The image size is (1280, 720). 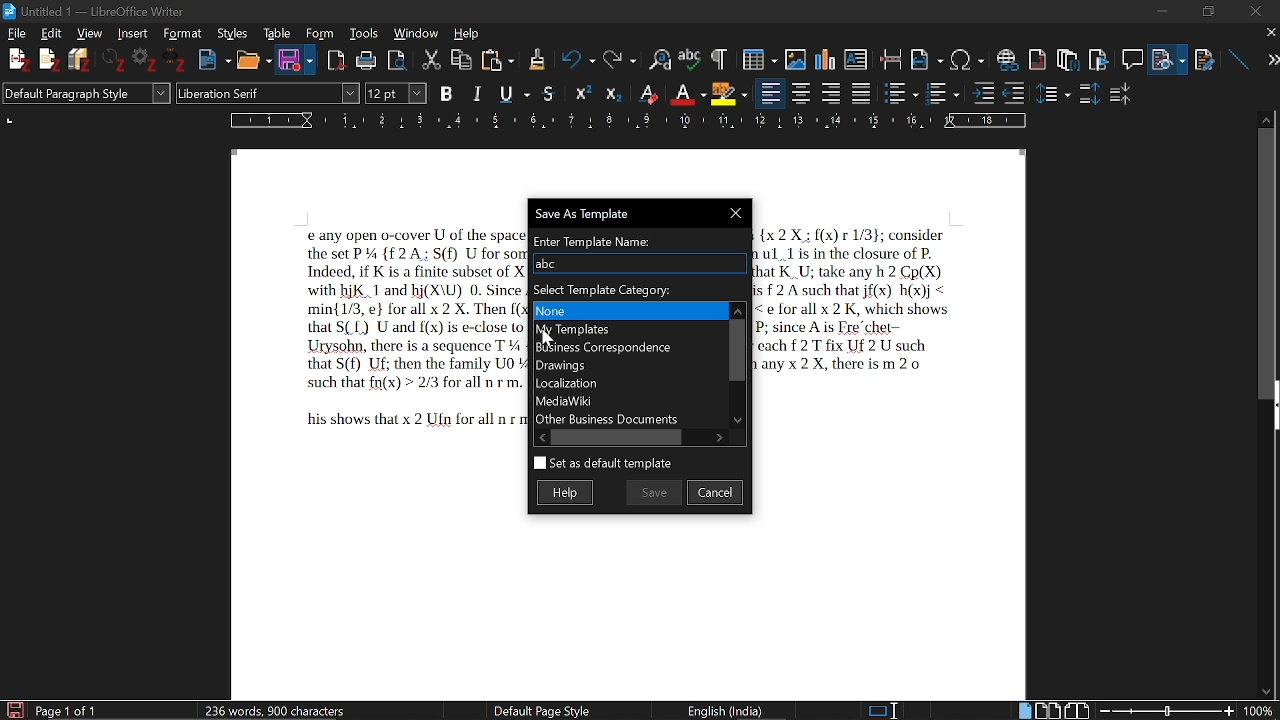 What do you see at coordinates (512, 91) in the screenshot?
I see `Underline options` at bounding box center [512, 91].